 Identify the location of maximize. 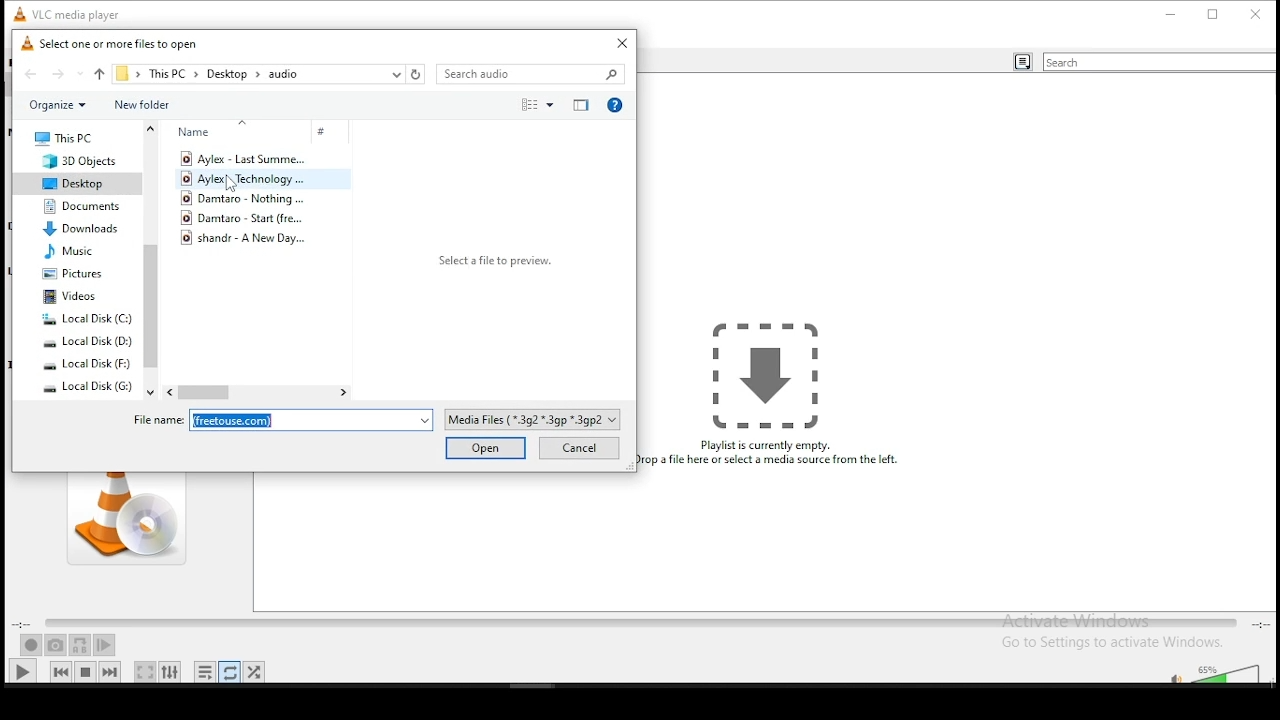
(1214, 13).